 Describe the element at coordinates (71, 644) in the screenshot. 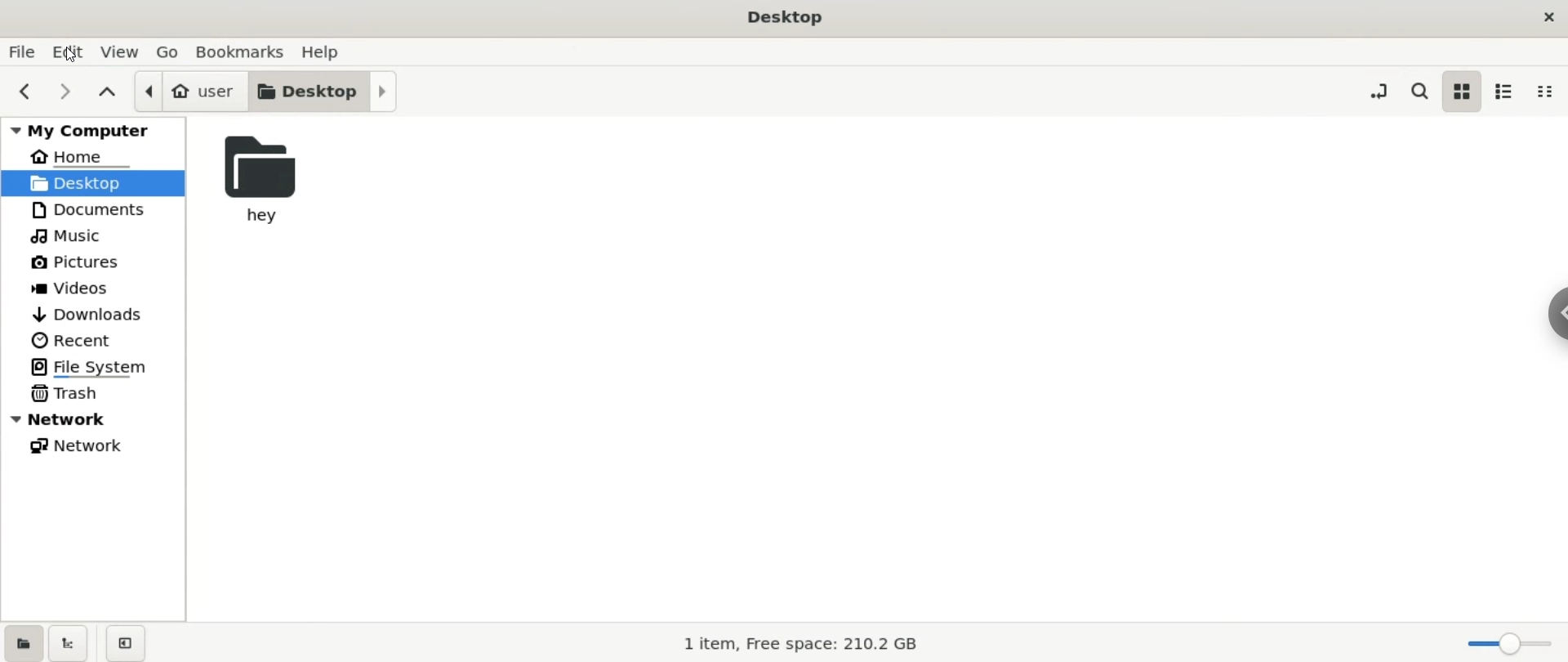

I see `show treeview` at that location.